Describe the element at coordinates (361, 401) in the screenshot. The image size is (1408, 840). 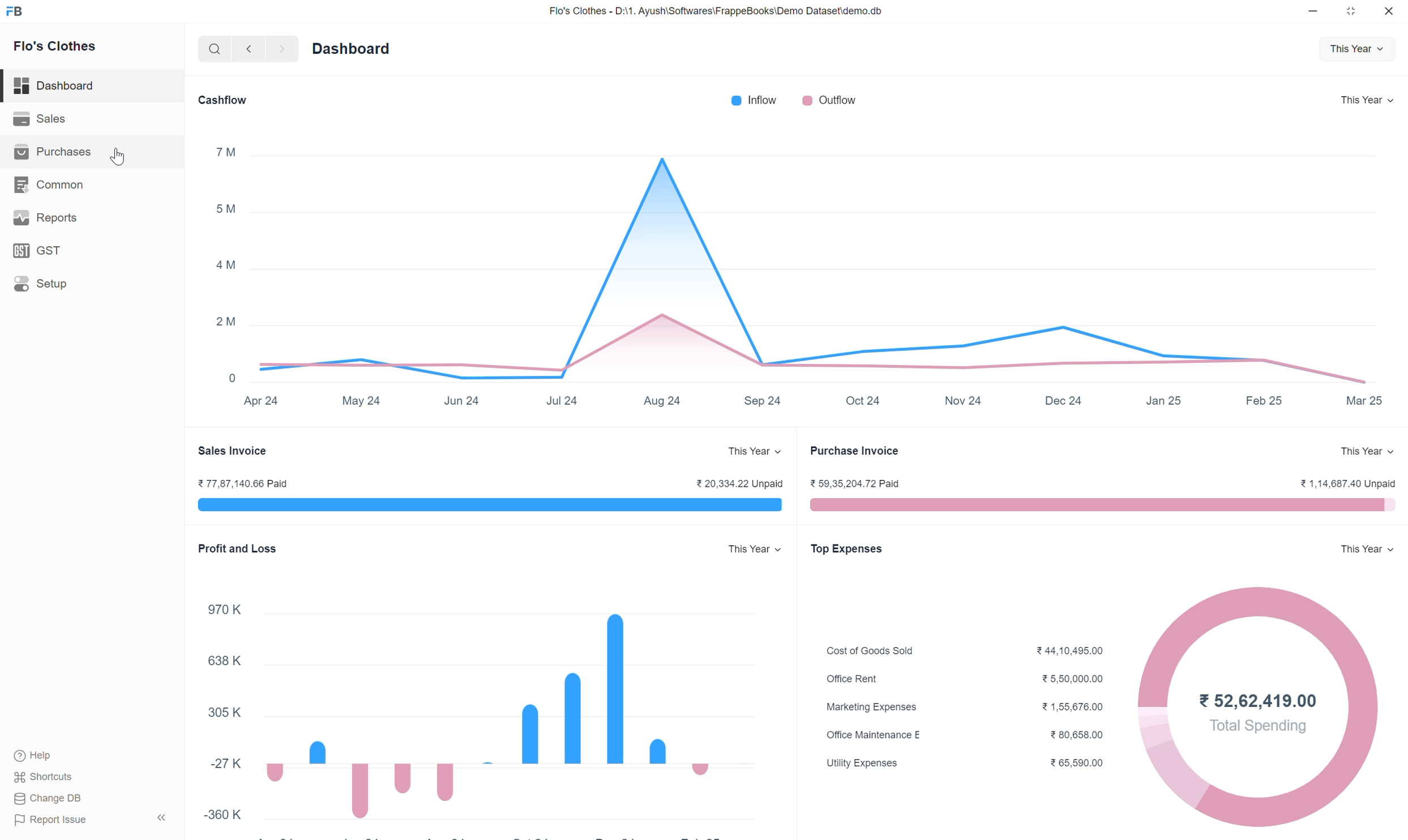
I see `May 24` at that location.